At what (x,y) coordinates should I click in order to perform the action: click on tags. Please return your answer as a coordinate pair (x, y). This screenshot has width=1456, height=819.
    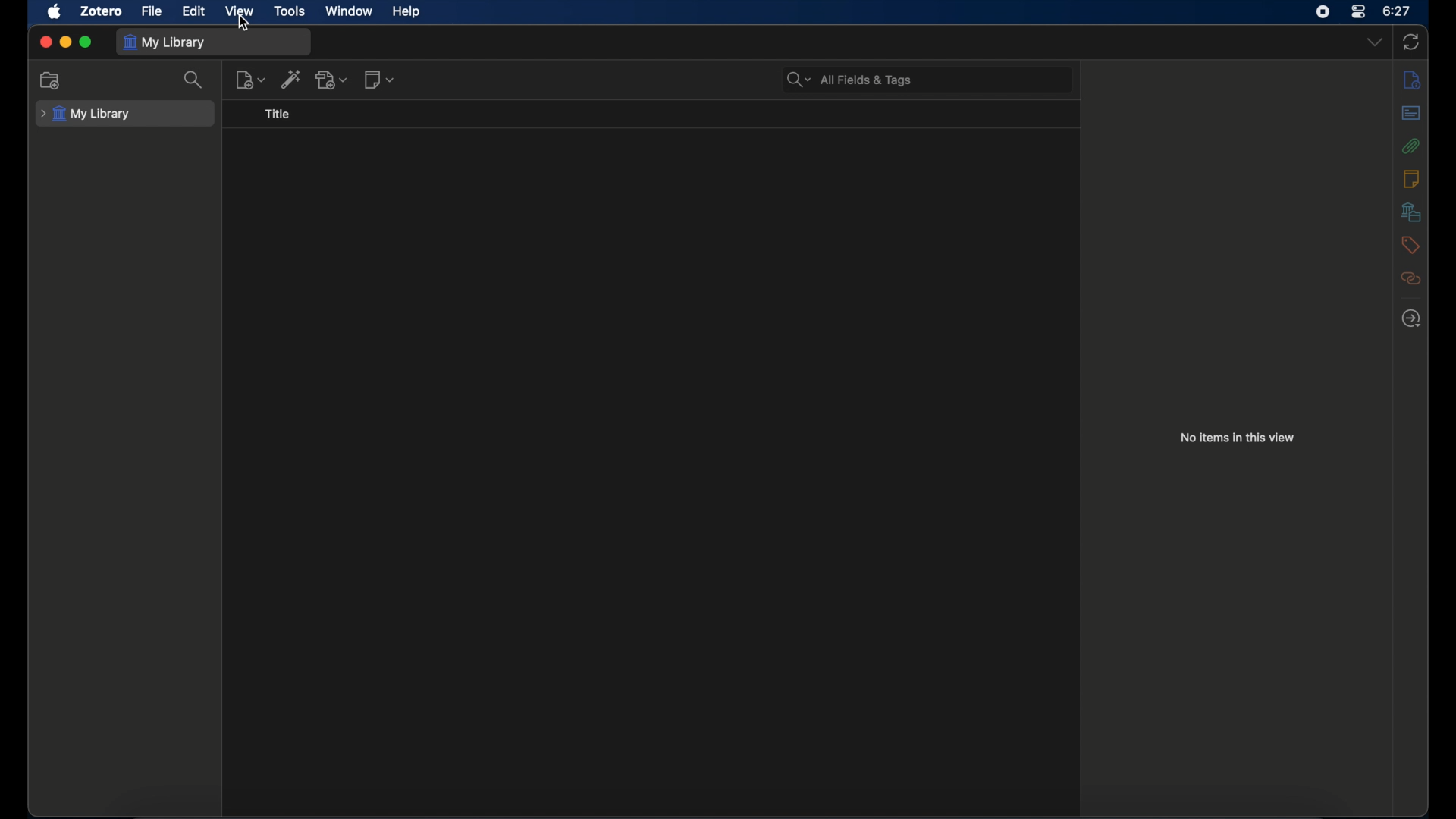
    Looking at the image, I should click on (1410, 245).